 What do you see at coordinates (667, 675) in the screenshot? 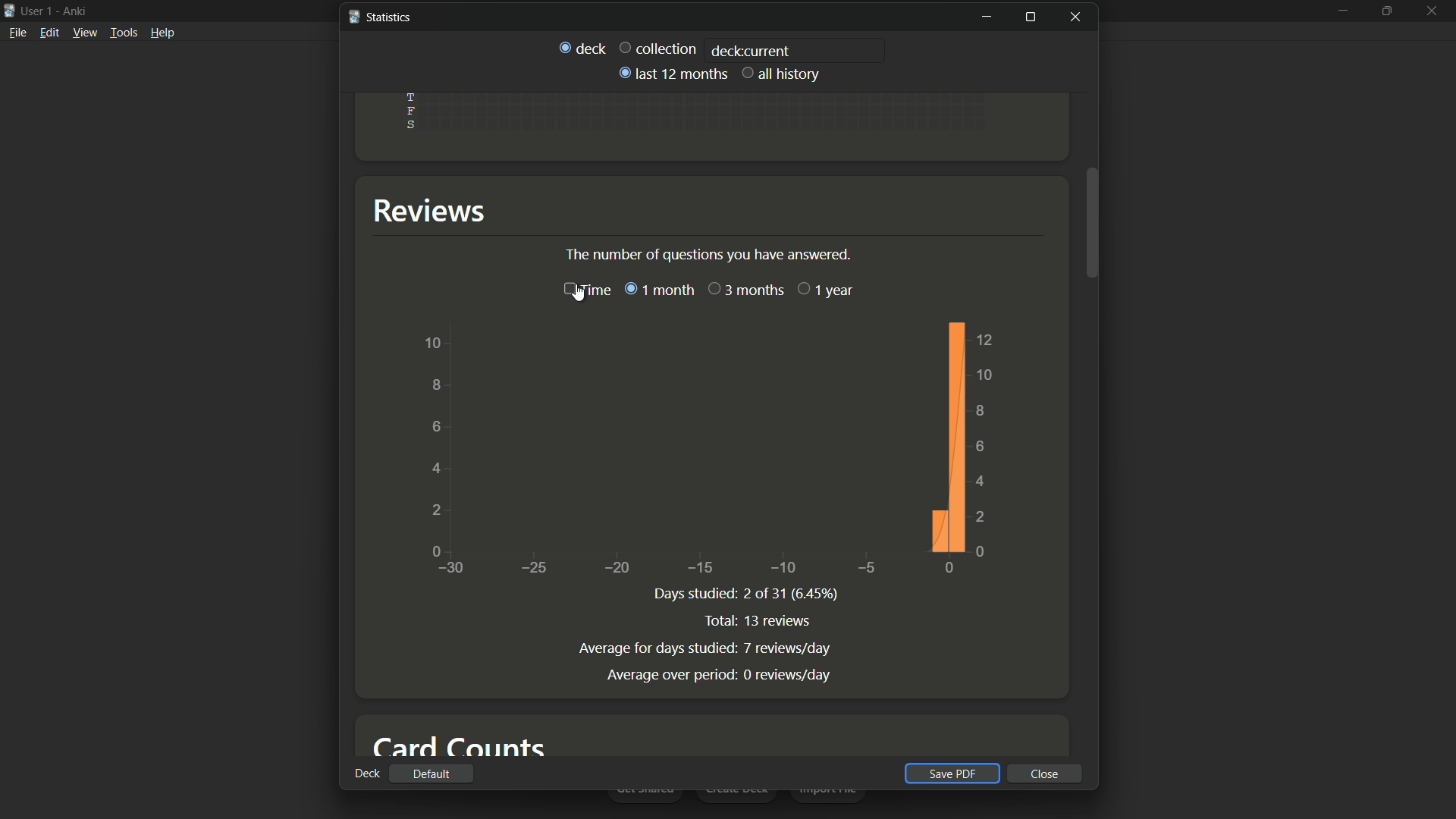
I see `average over period` at bounding box center [667, 675].